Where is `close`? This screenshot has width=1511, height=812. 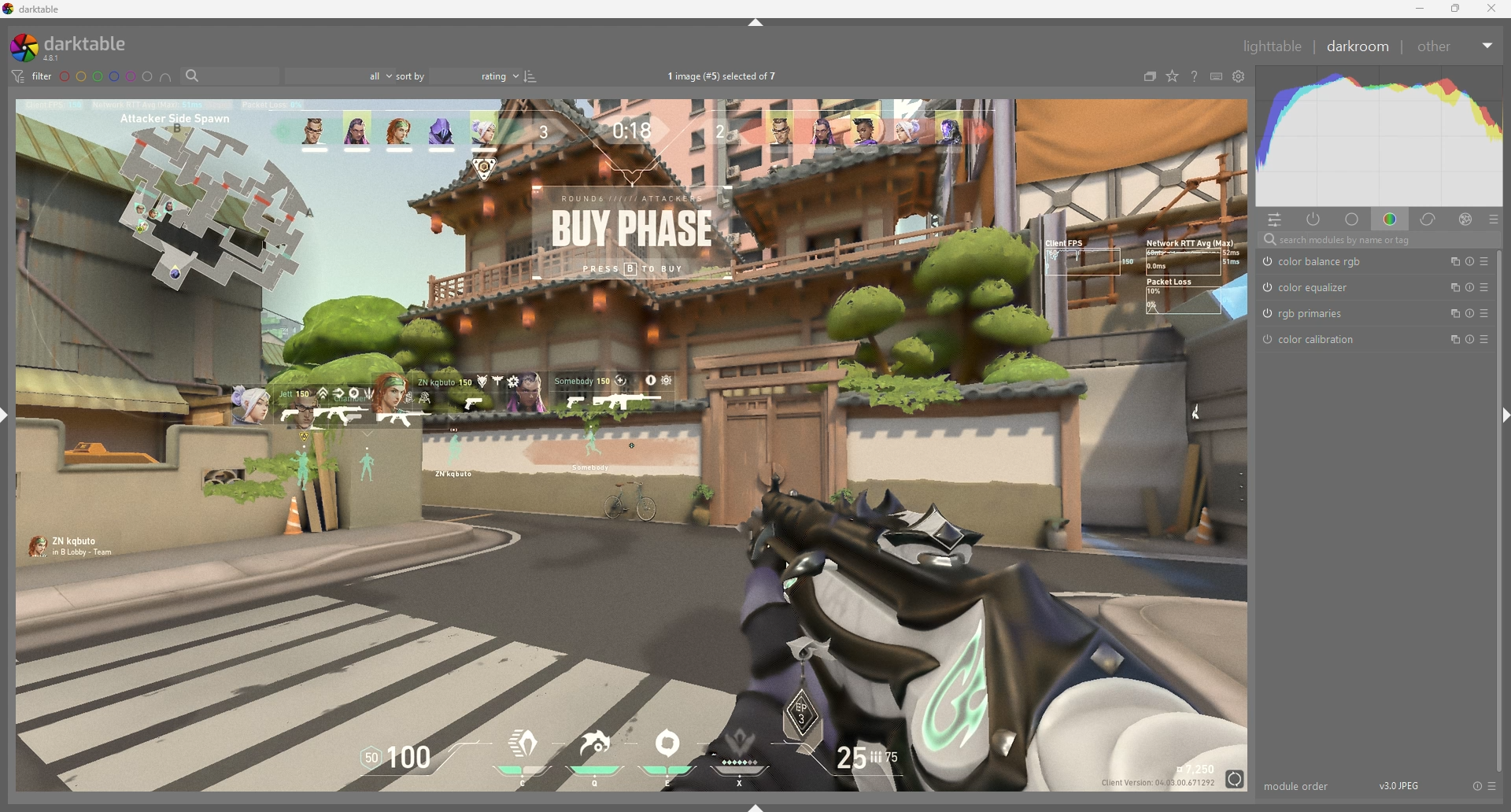 close is located at coordinates (1491, 8).